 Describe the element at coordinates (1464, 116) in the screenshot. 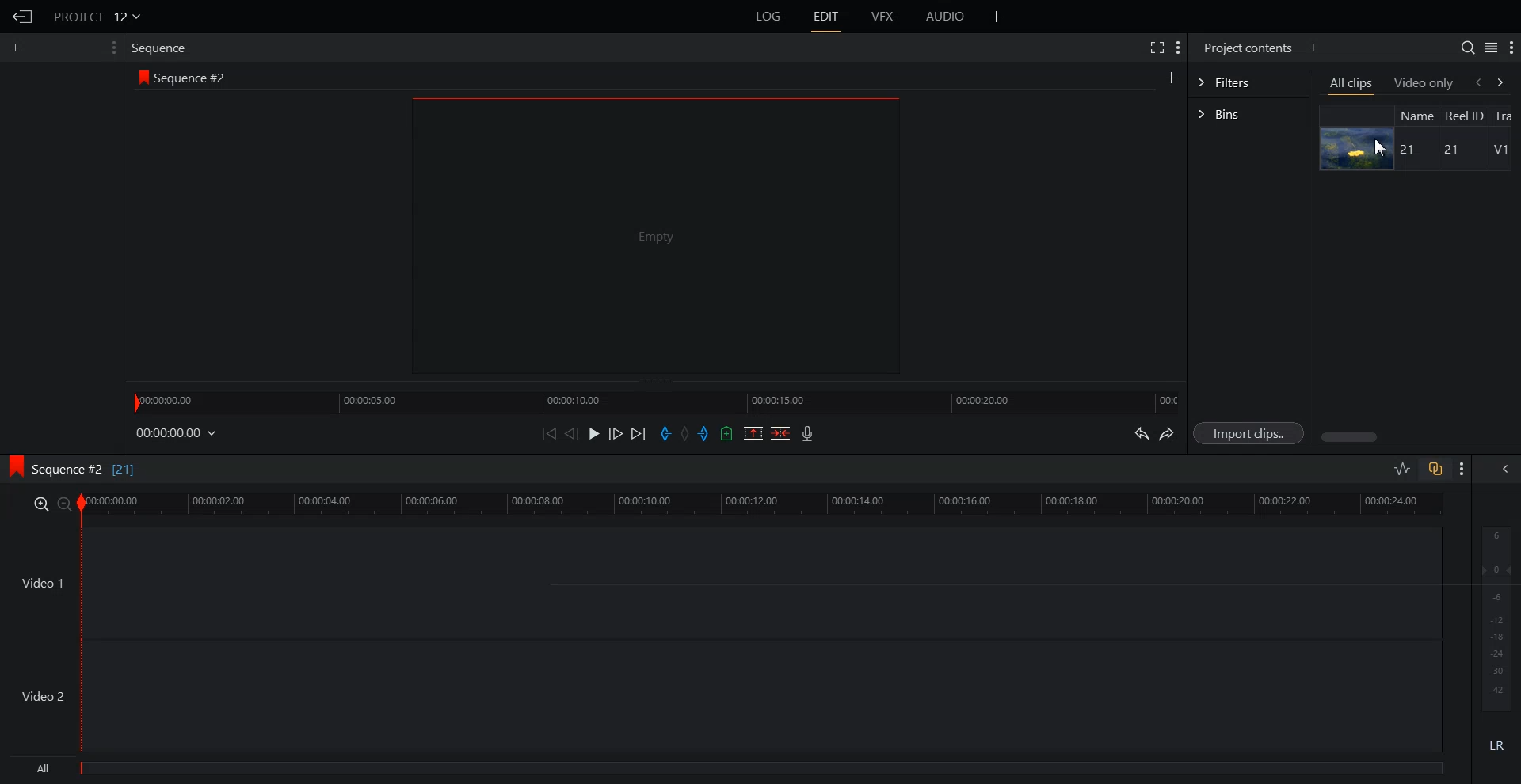

I see `Reel ID` at that location.